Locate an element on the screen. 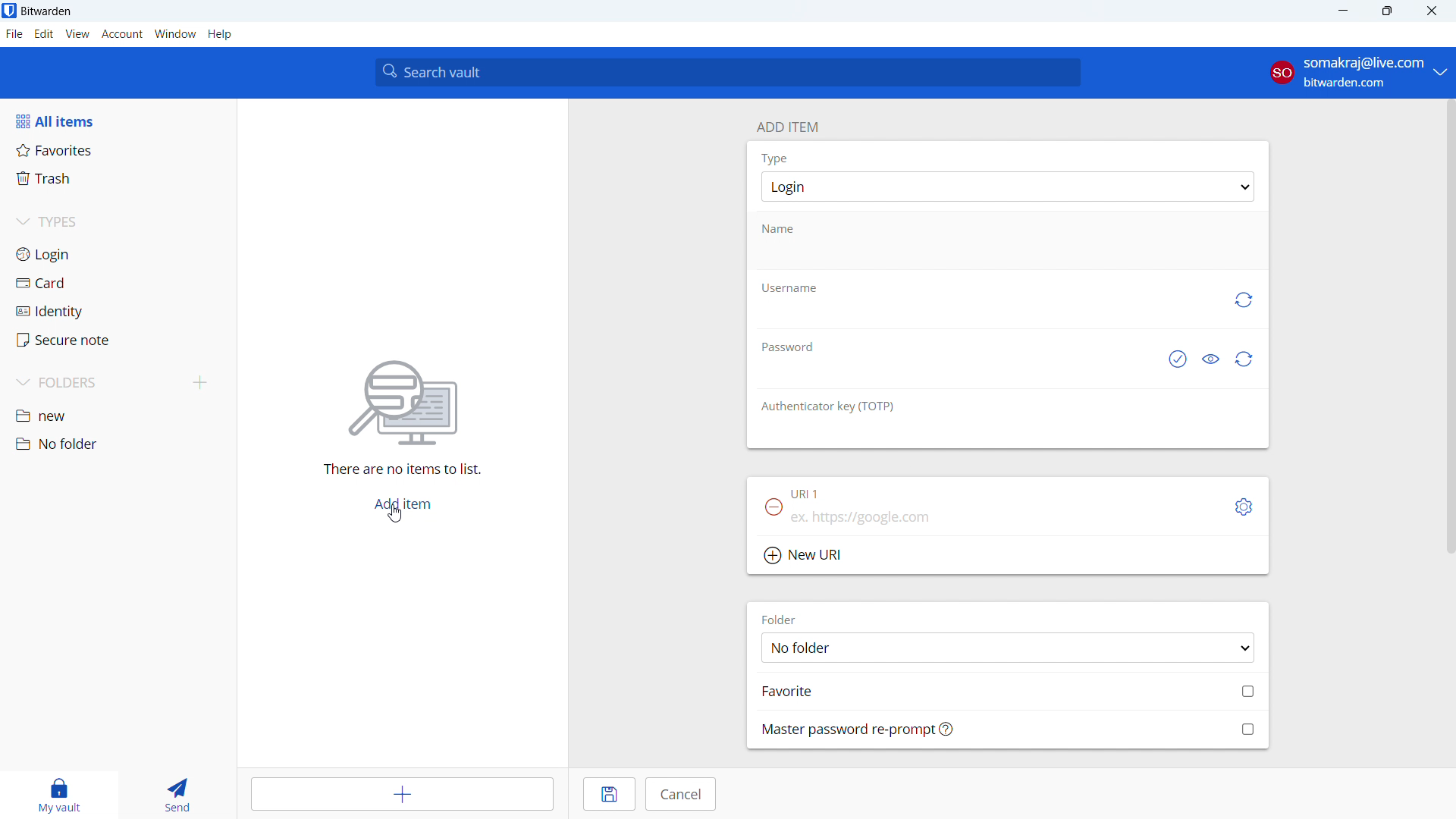 This screenshot has height=819, width=1456. mass password re-prompt is located at coordinates (1009, 729).